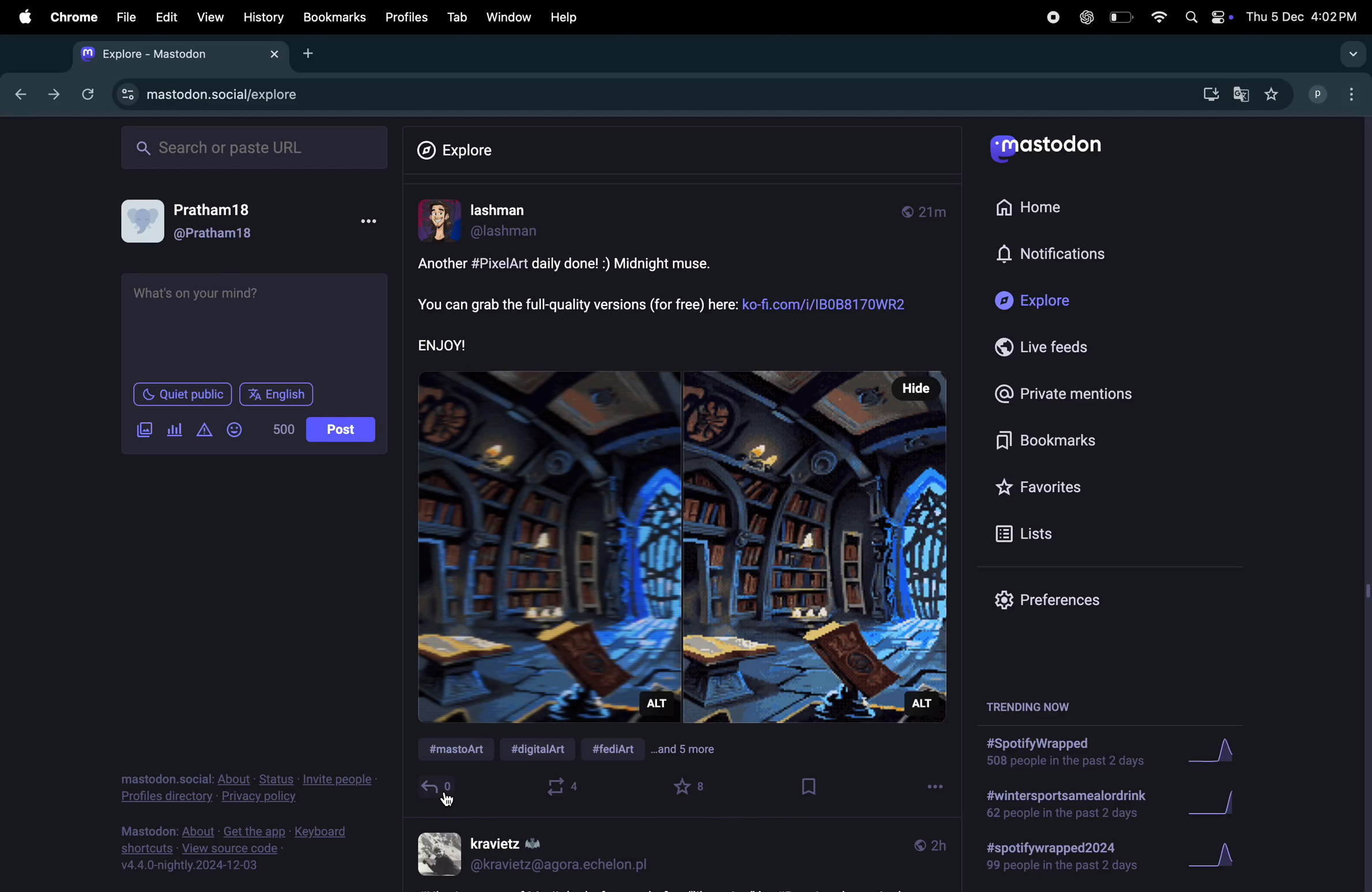 This screenshot has width=1372, height=892. Describe the element at coordinates (1062, 347) in the screenshot. I see `Live feeds` at that location.